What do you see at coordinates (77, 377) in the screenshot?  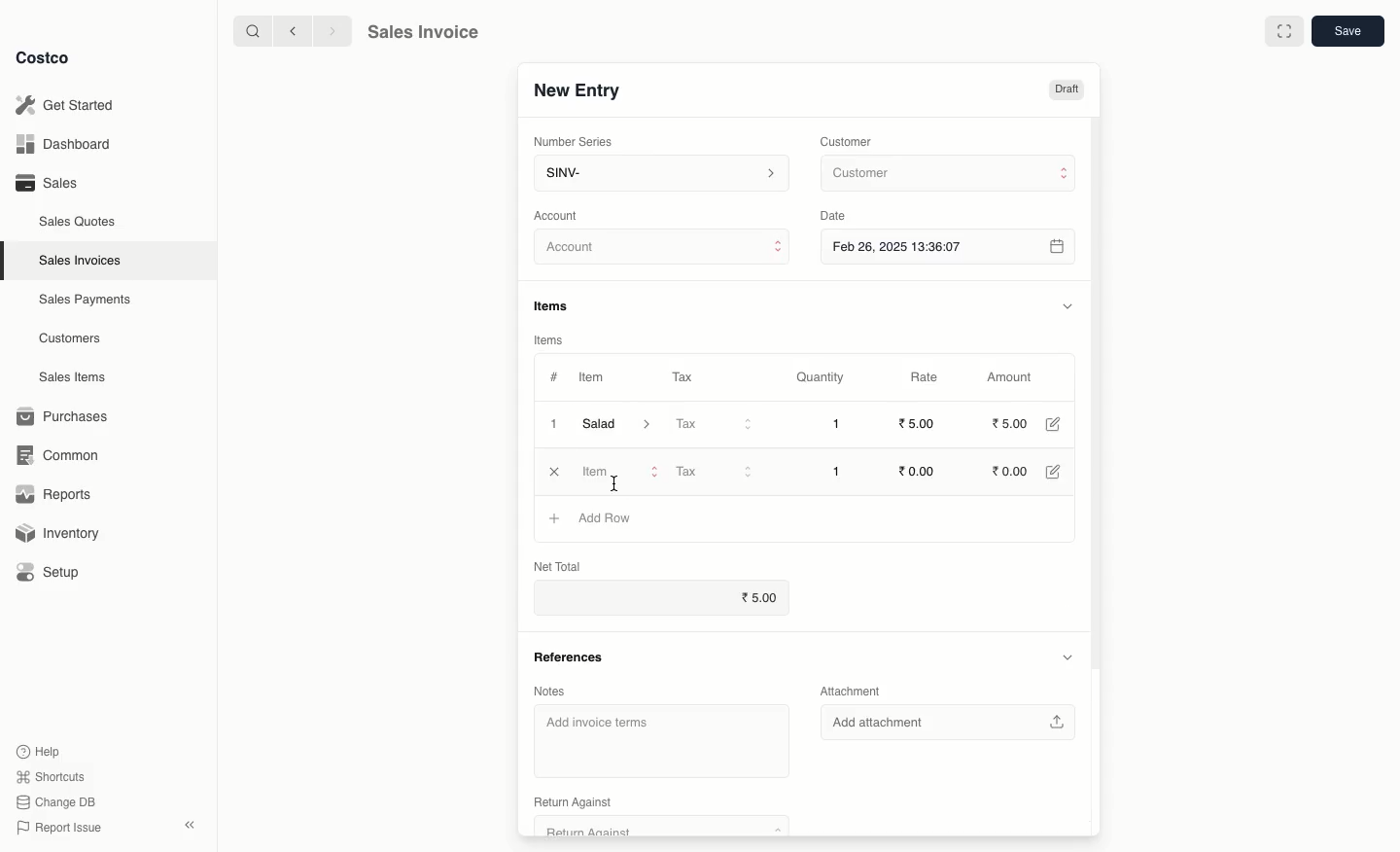 I see `Sales Items` at bounding box center [77, 377].